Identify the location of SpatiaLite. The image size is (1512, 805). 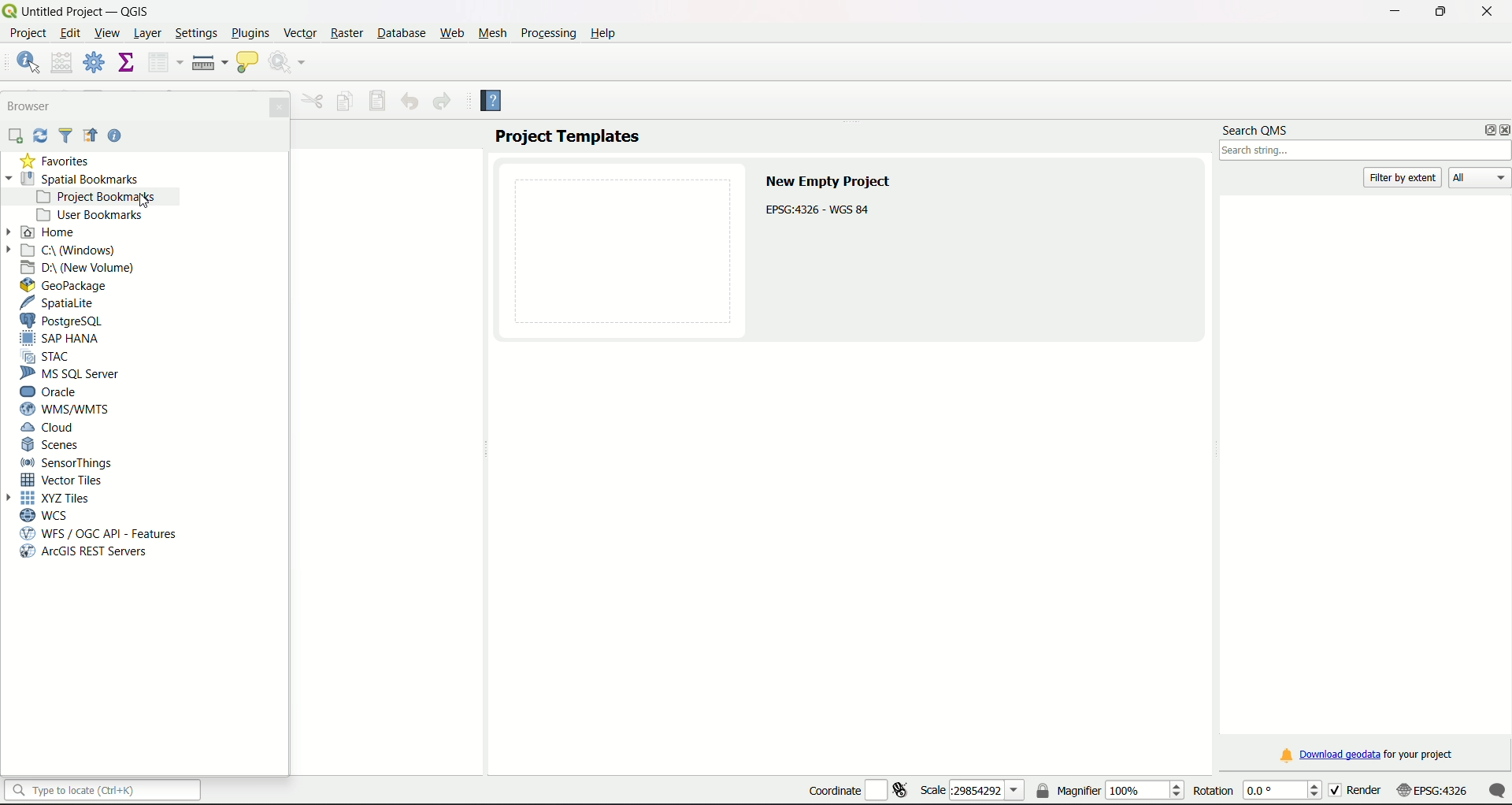
(61, 303).